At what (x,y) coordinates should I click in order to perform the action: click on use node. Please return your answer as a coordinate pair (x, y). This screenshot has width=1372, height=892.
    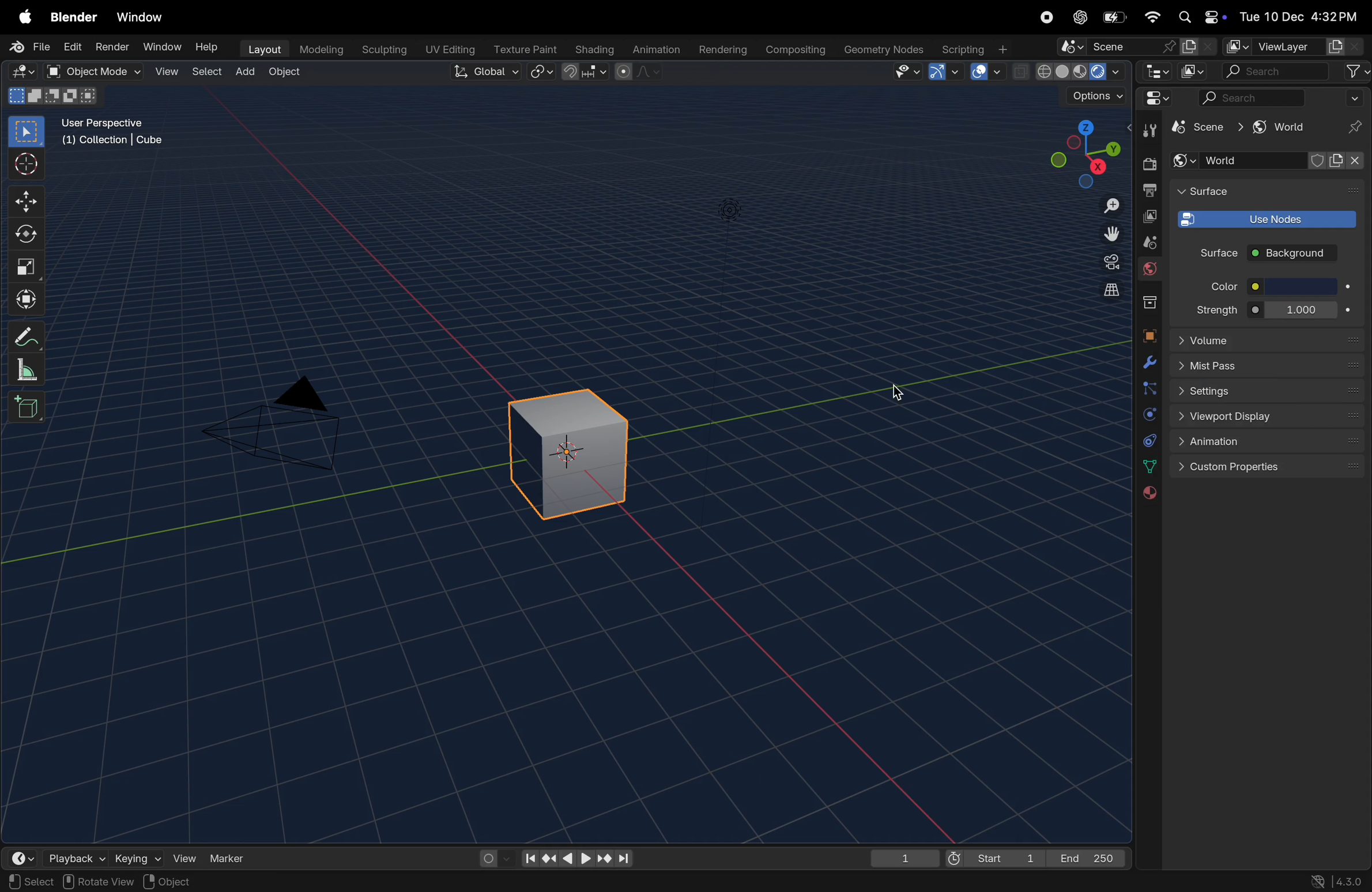
    Looking at the image, I should click on (1264, 220).